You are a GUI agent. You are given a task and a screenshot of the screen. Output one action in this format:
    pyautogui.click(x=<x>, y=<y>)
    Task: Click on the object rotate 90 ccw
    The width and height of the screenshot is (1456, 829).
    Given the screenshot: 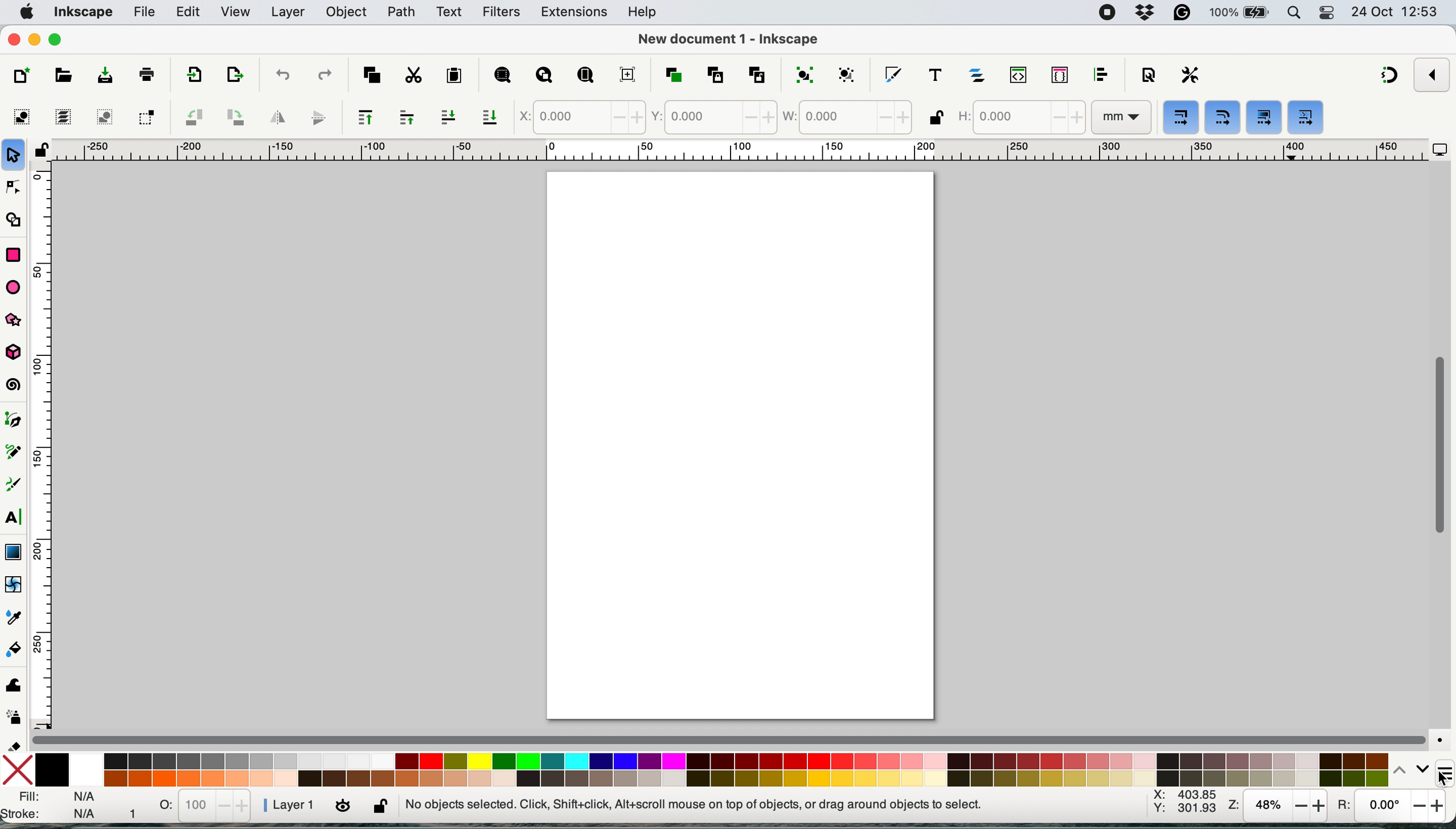 What is the action you would take?
    pyautogui.click(x=191, y=116)
    